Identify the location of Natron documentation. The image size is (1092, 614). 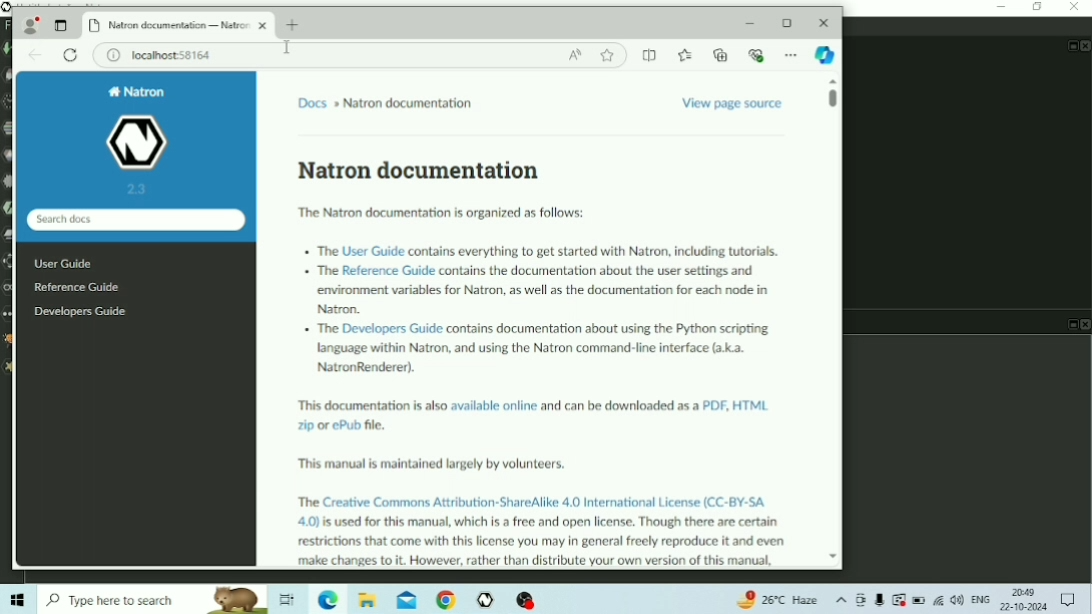
(410, 103).